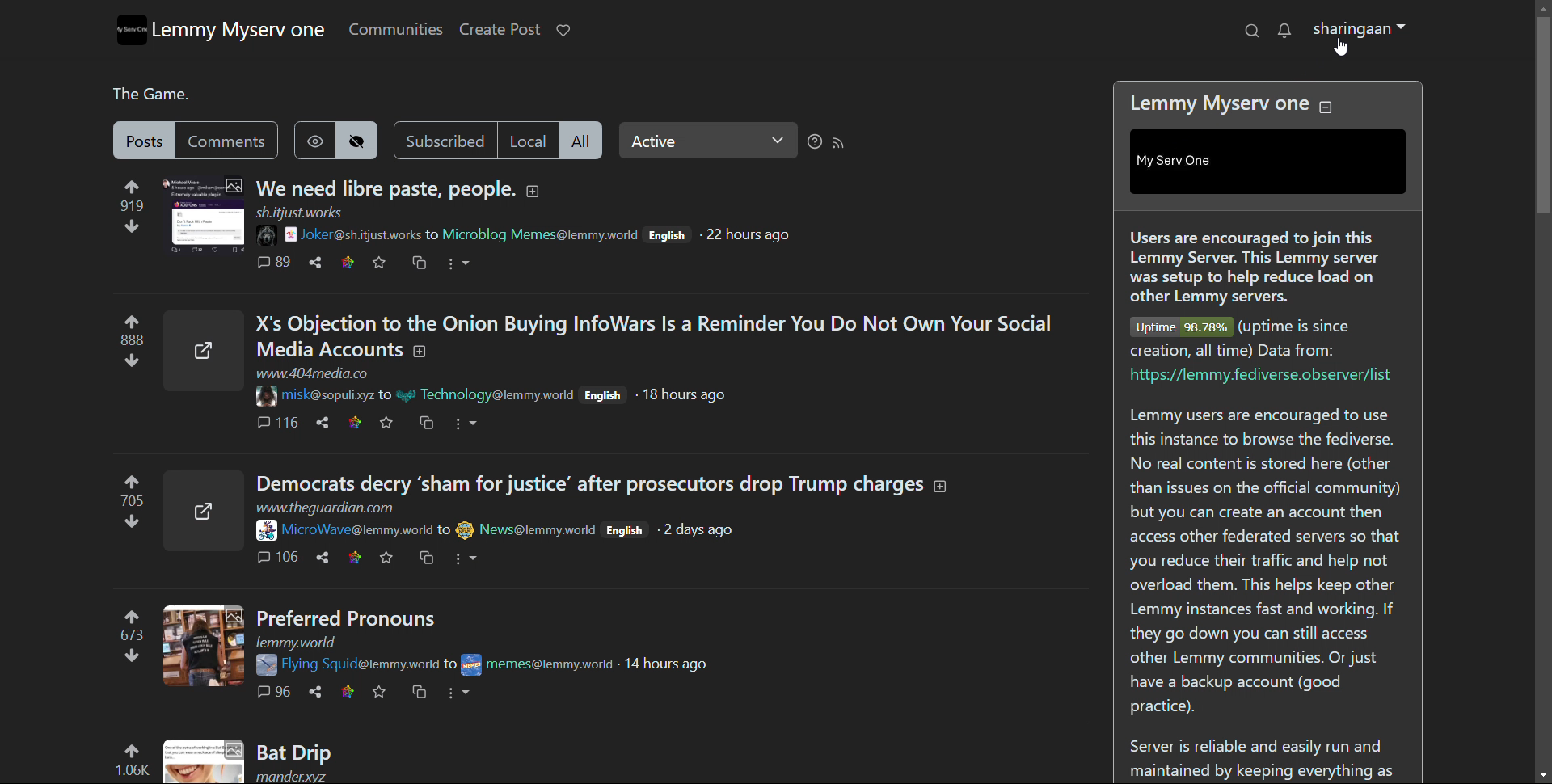 The width and height of the screenshot is (1552, 784). Describe the element at coordinates (750, 235) in the screenshot. I see `time of posting` at that location.